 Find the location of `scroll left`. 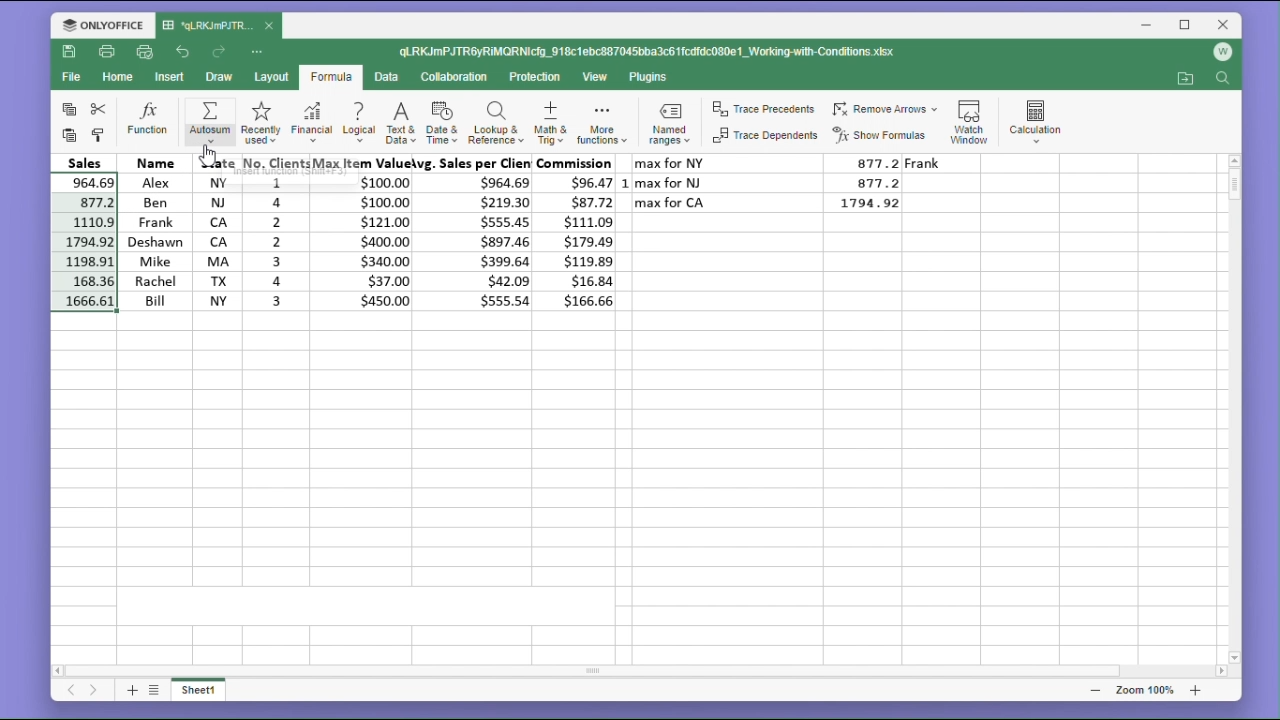

scroll left is located at coordinates (59, 668).